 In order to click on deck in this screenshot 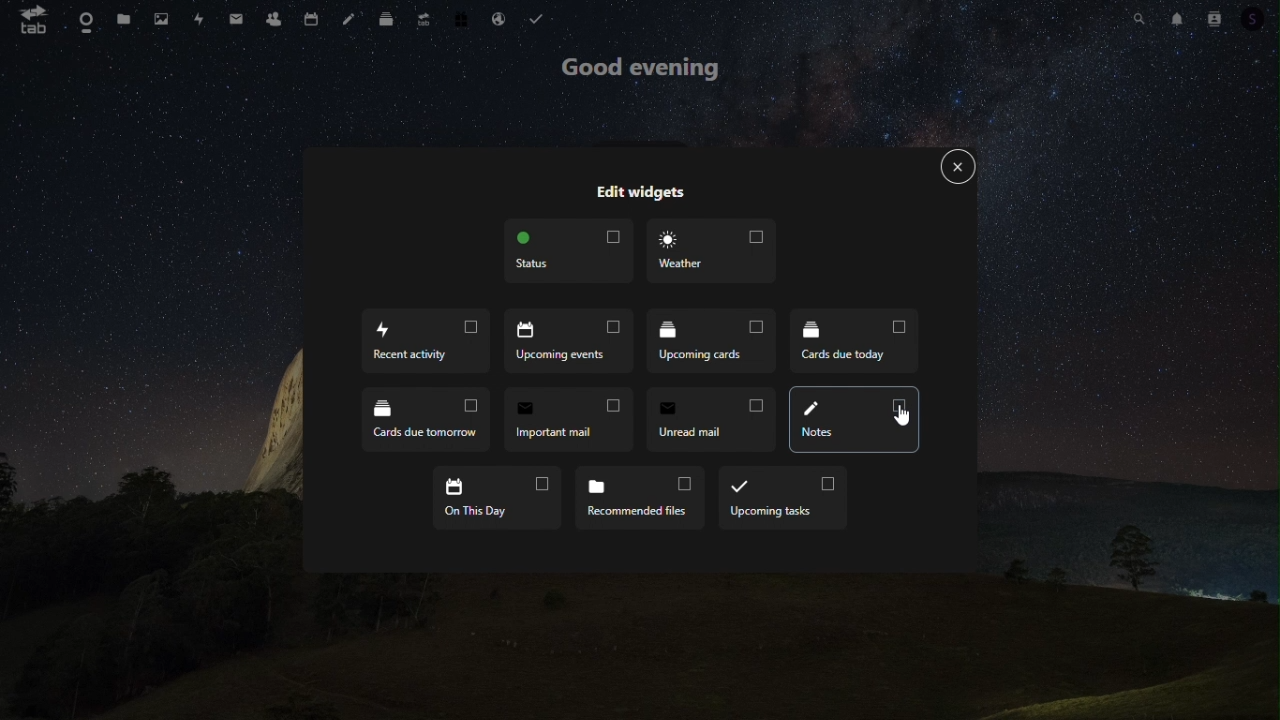, I will do `click(386, 21)`.